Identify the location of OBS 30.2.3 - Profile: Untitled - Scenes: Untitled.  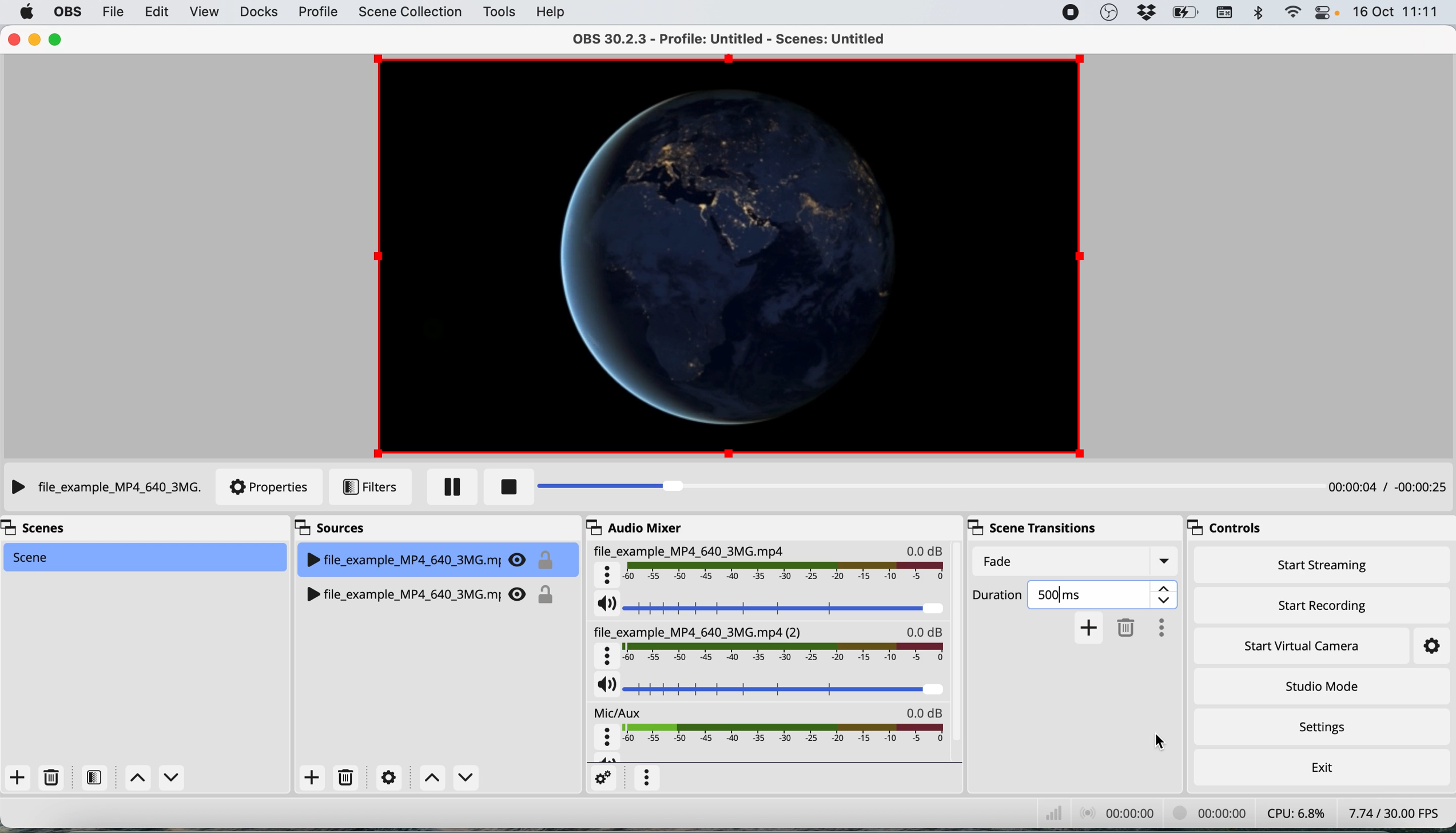
(736, 38).